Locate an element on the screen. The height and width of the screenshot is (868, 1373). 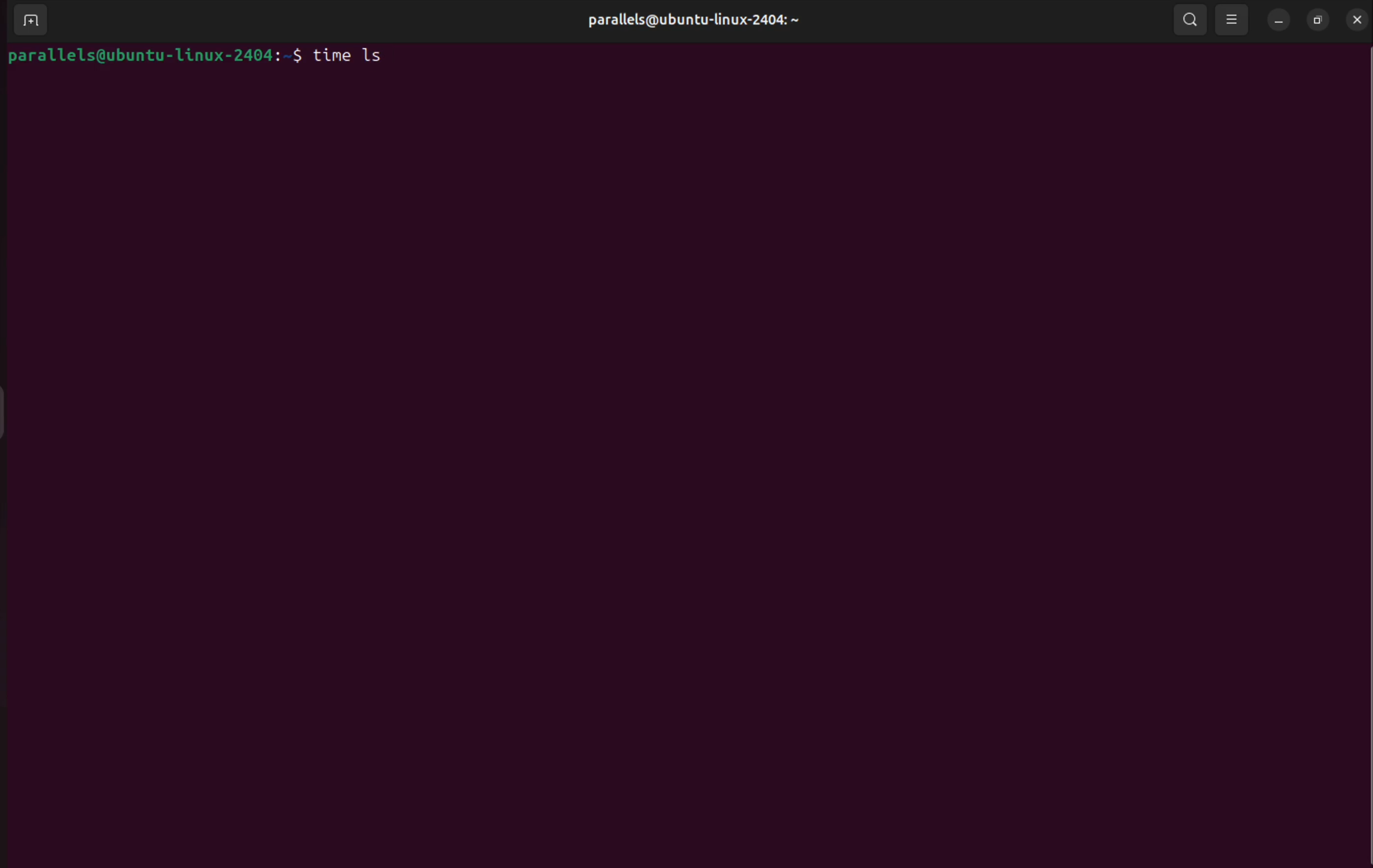
close is located at coordinates (1358, 18).